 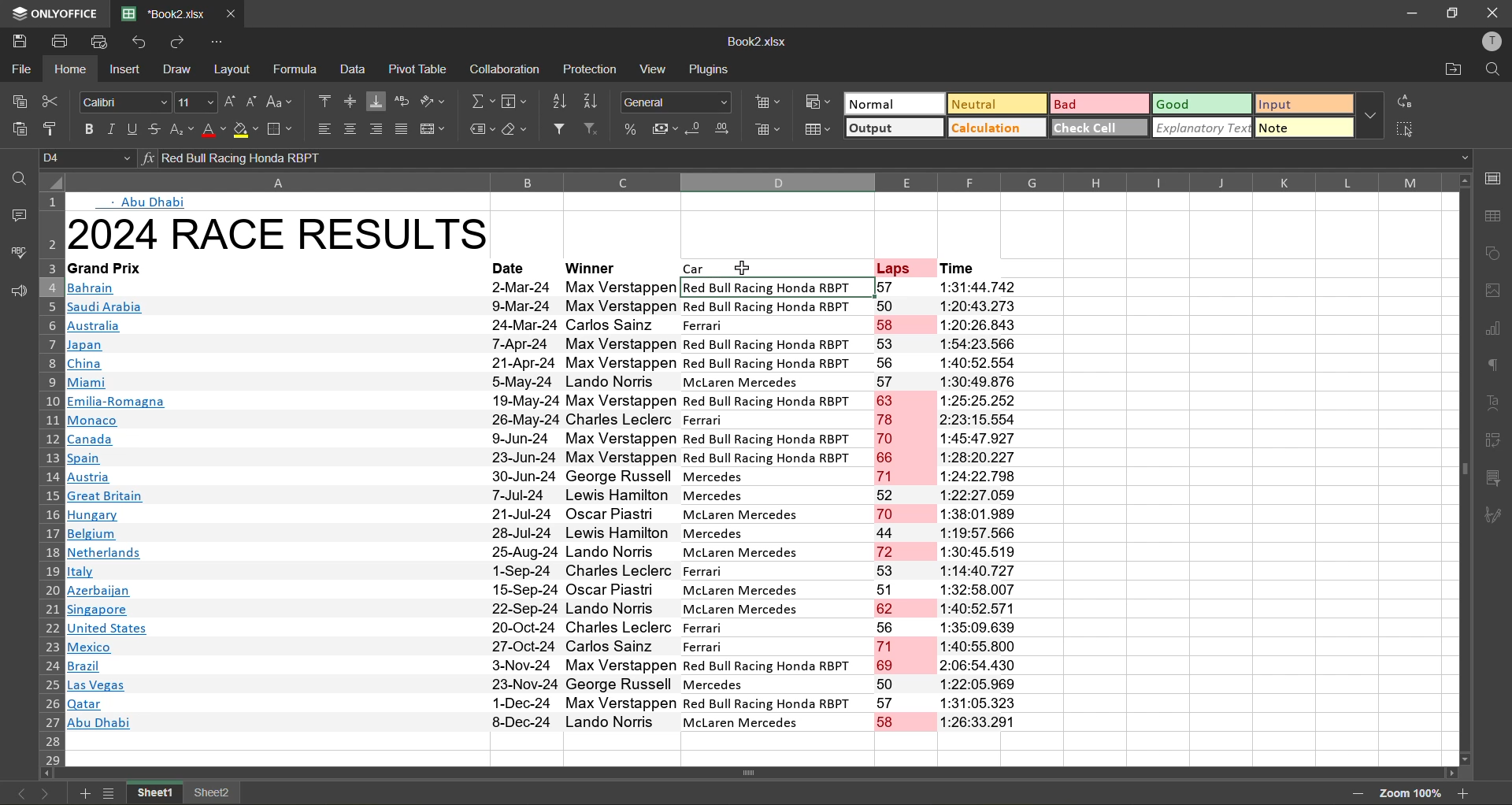 What do you see at coordinates (18, 131) in the screenshot?
I see `paste` at bounding box center [18, 131].